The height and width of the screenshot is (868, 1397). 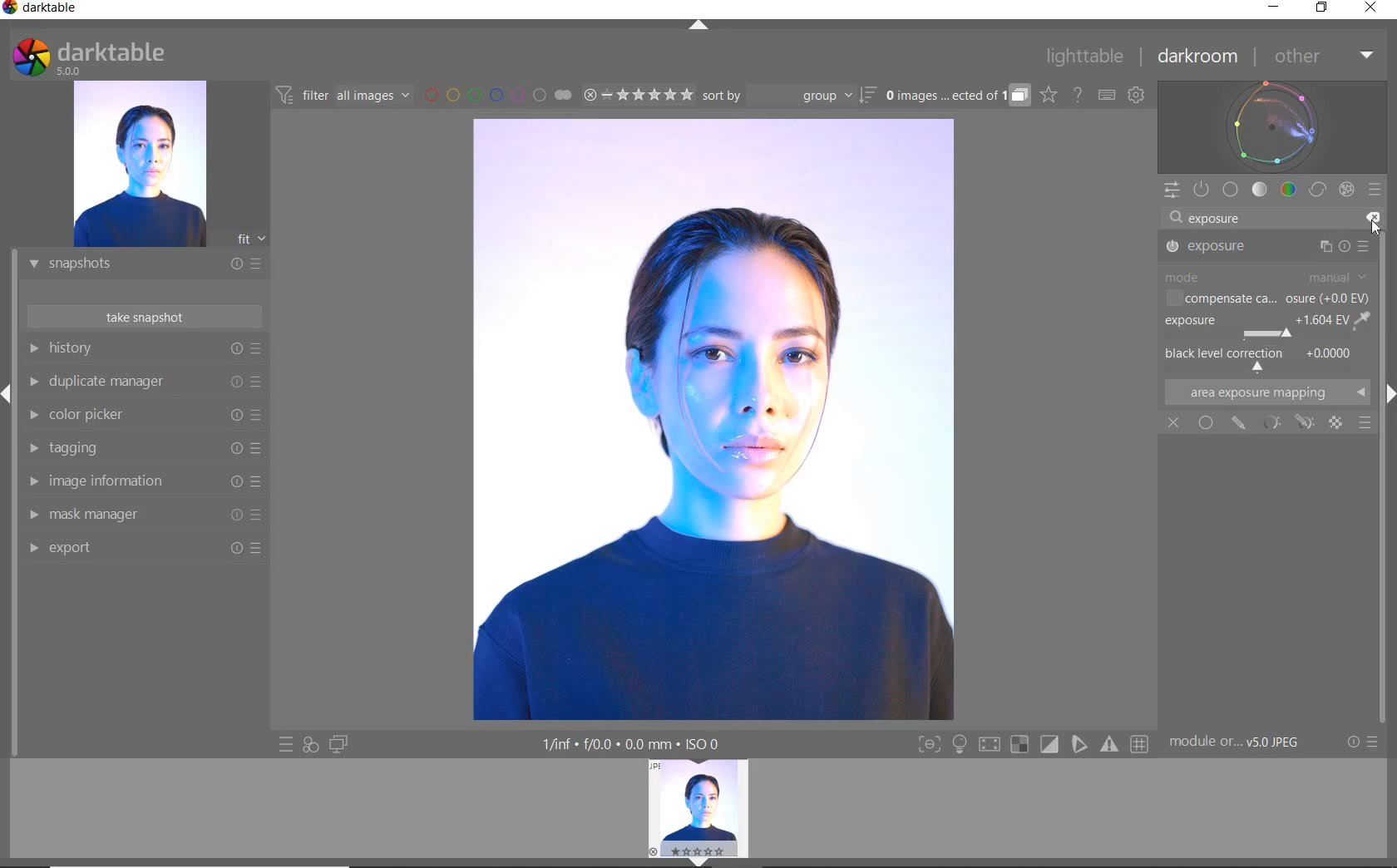 I want to click on MASK MANAGER, so click(x=137, y=515).